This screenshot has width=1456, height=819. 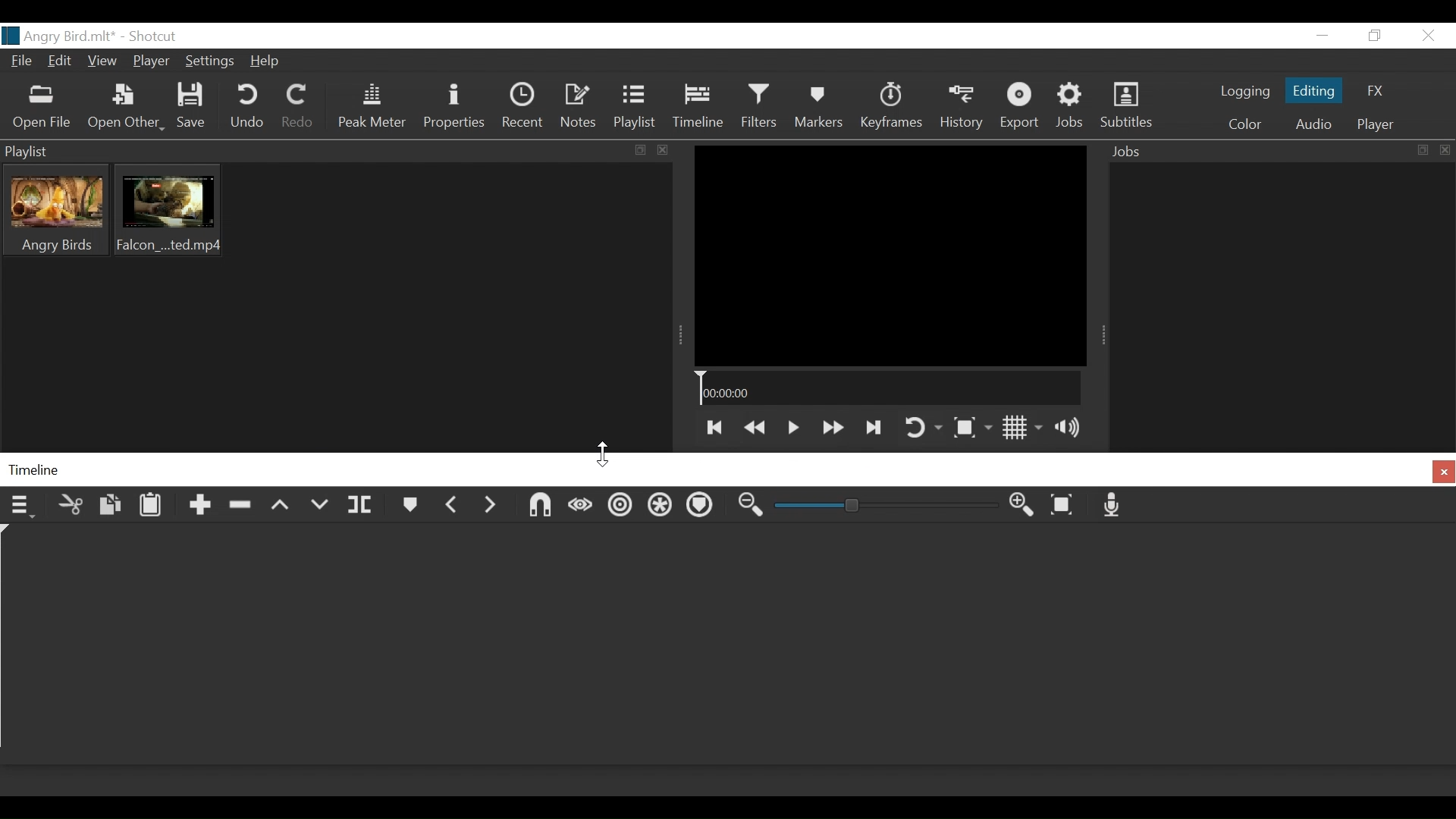 What do you see at coordinates (888, 509) in the screenshot?
I see `Zoom Slider` at bounding box center [888, 509].